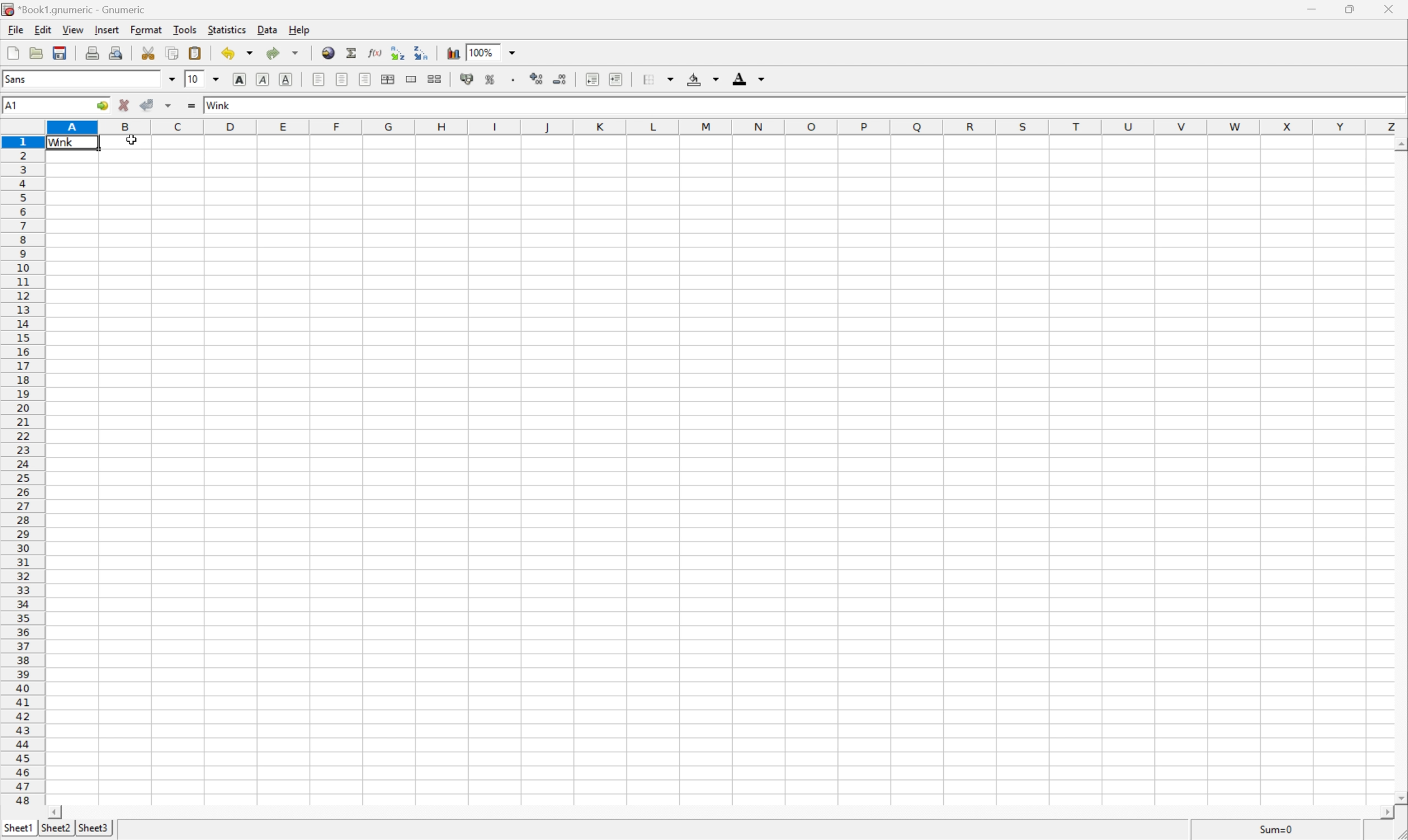  I want to click on view, so click(71, 31).